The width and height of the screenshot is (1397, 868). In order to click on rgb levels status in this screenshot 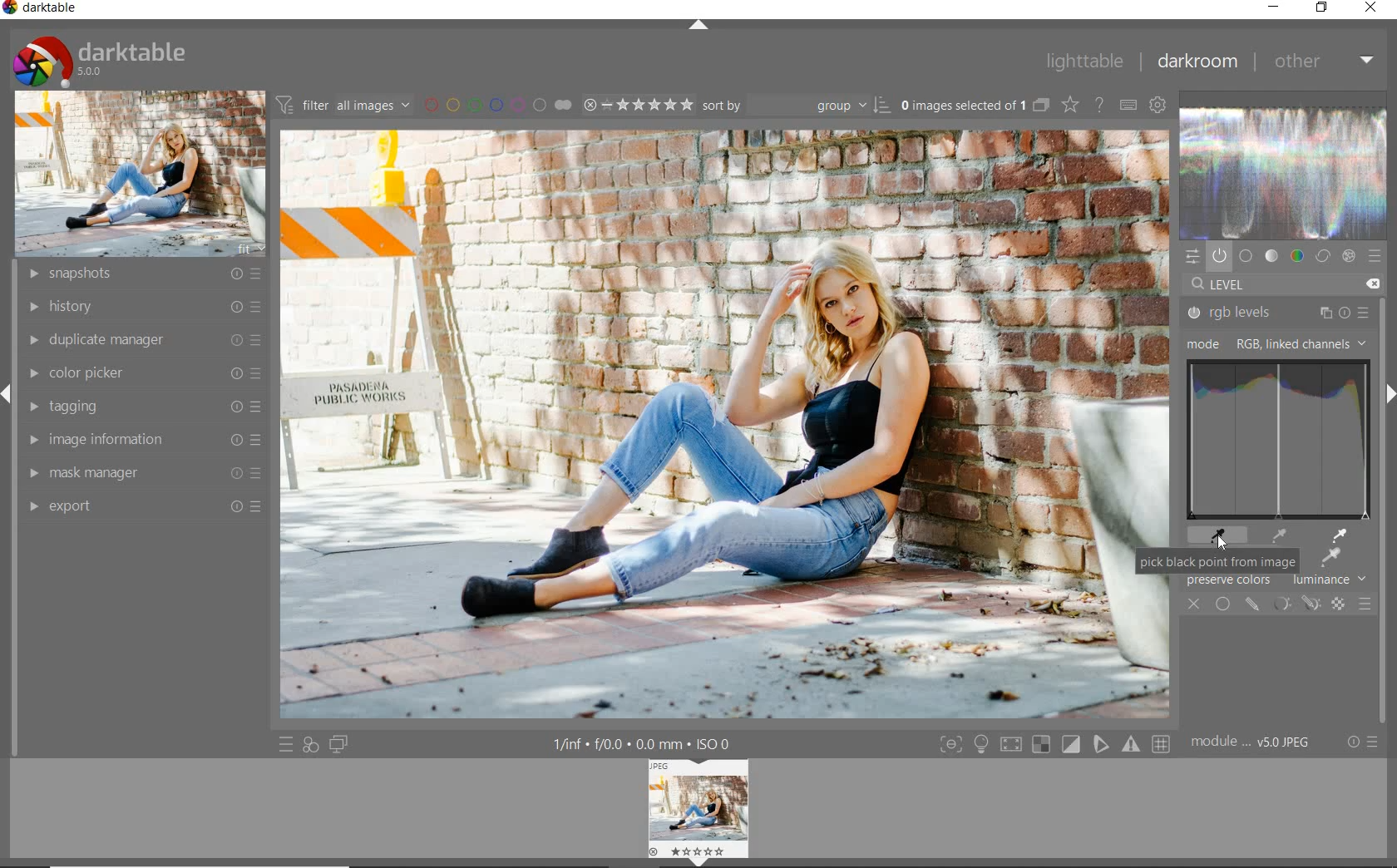, I will do `click(1194, 316)`.